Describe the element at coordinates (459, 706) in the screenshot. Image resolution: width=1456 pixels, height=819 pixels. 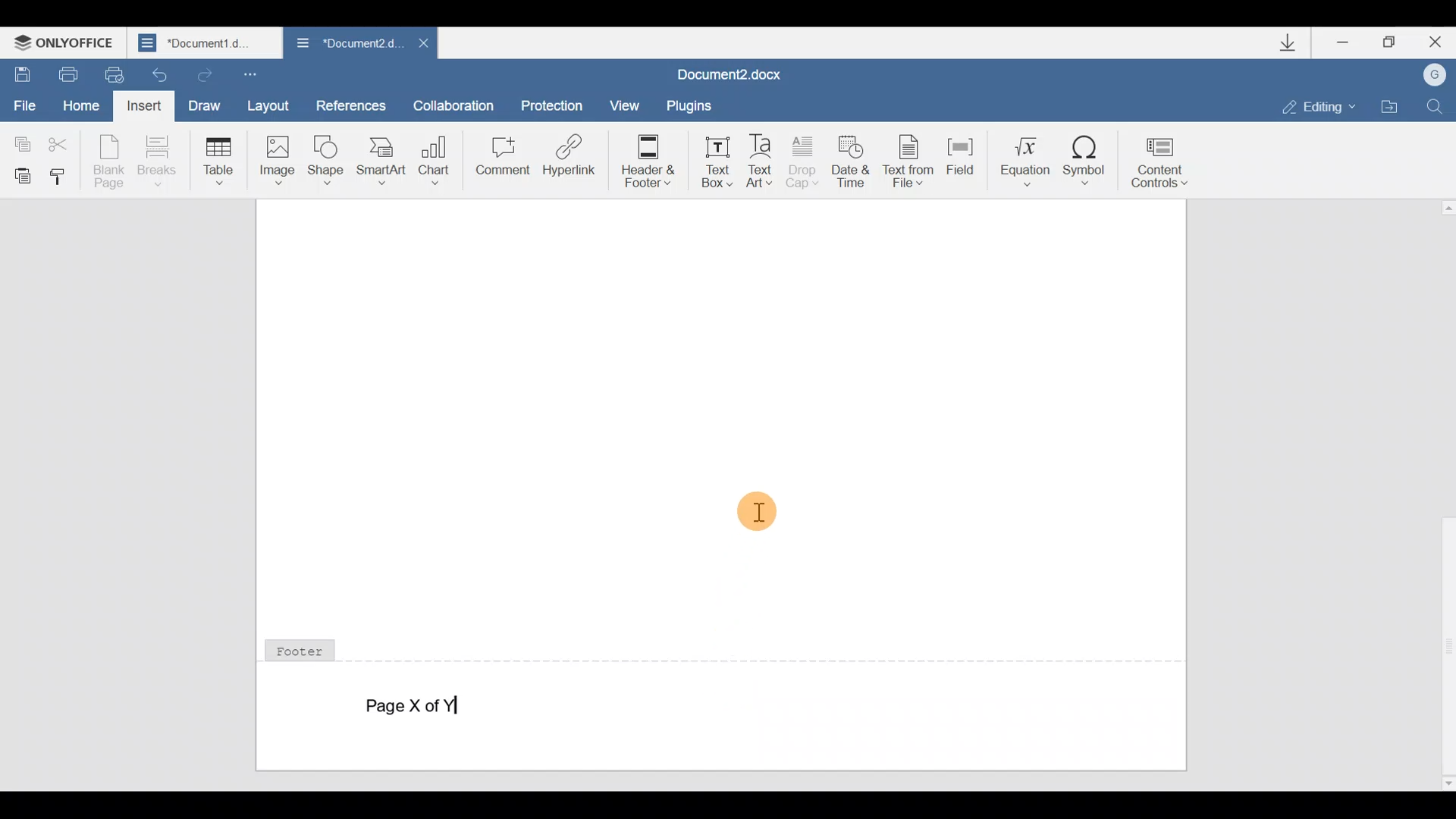
I see `typing cursor` at that location.